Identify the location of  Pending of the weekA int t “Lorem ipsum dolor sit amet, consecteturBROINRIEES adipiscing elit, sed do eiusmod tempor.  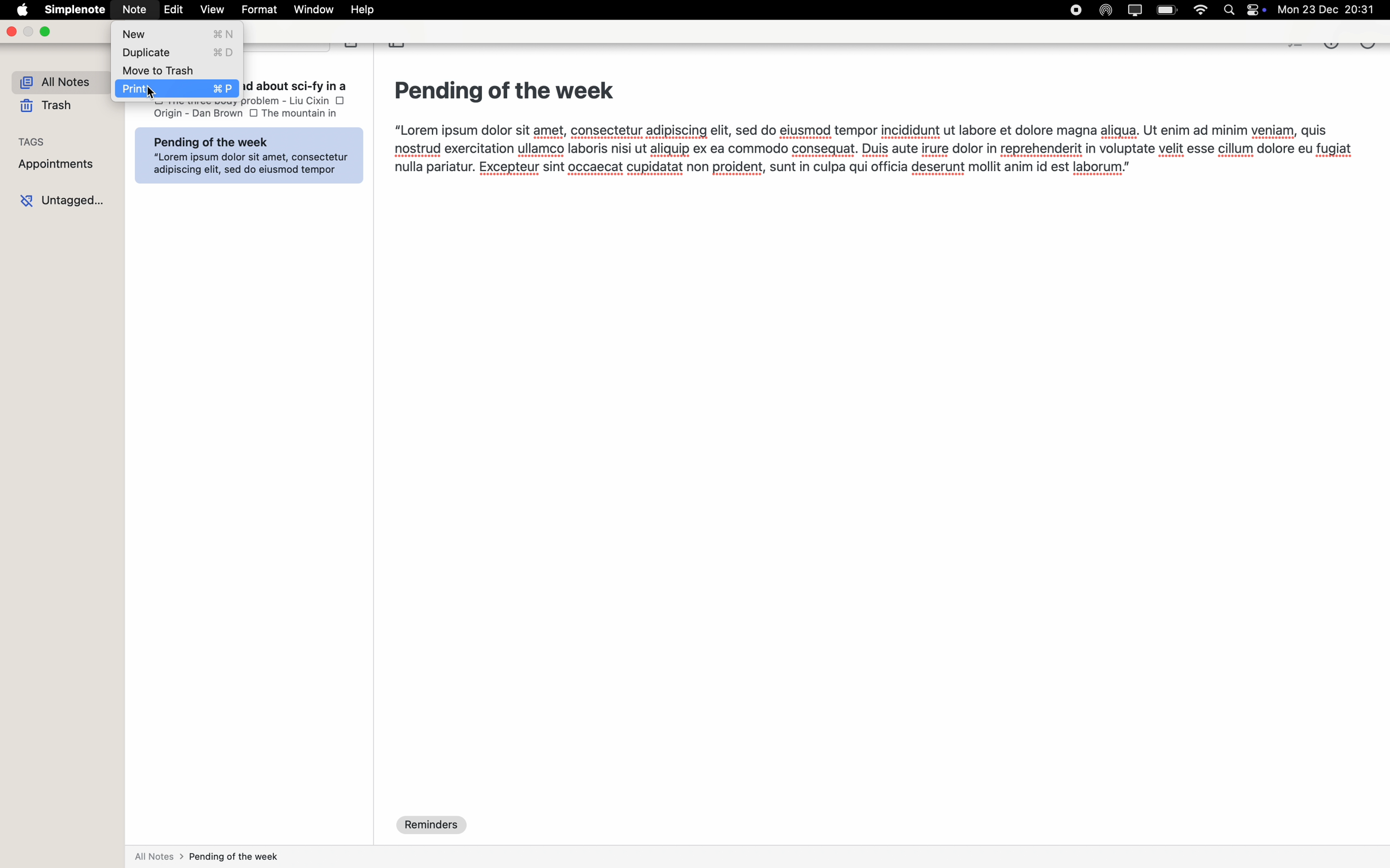
(249, 157).